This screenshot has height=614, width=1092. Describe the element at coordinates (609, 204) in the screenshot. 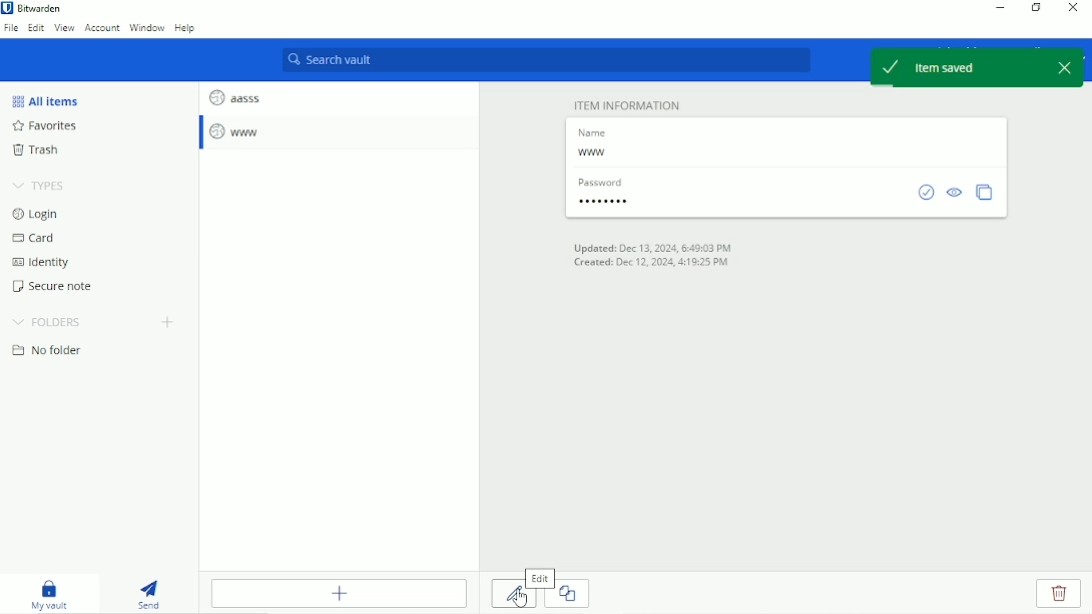

I see `Password` at that location.